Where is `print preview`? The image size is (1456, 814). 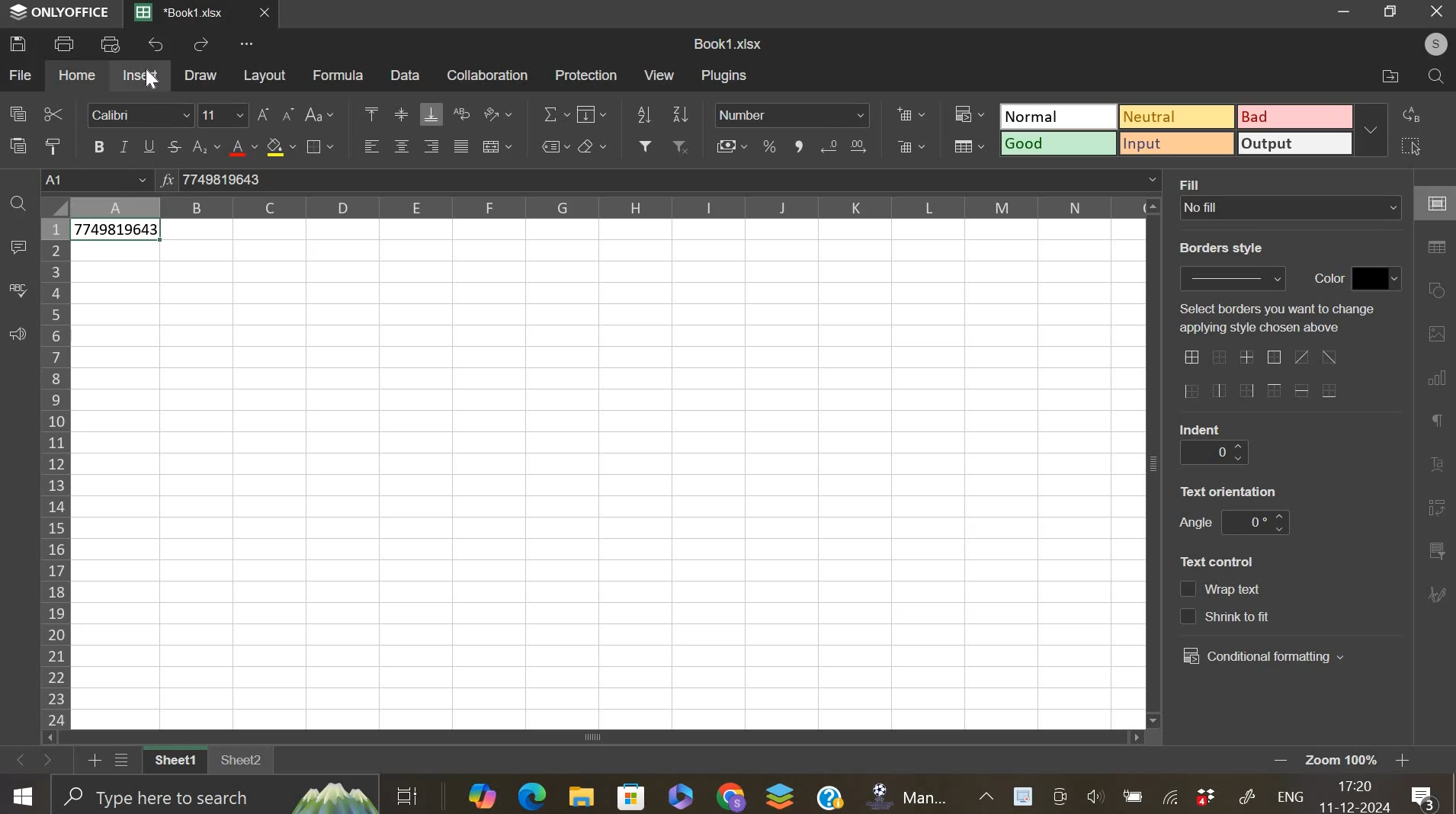 print preview is located at coordinates (111, 43).